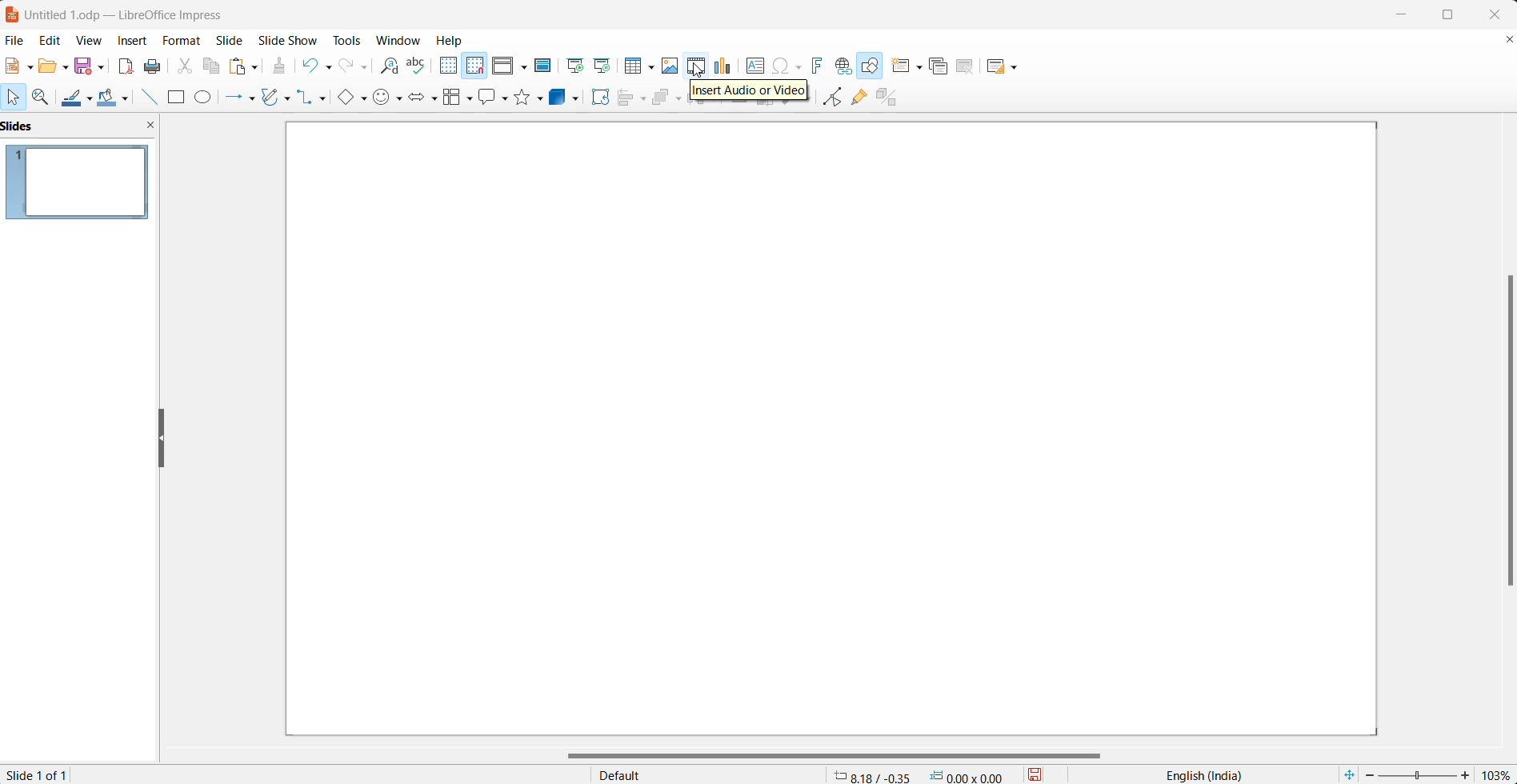  Describe the element at coordinates (83, 126) in the screenshot. I see `slide and close slides` at that location.